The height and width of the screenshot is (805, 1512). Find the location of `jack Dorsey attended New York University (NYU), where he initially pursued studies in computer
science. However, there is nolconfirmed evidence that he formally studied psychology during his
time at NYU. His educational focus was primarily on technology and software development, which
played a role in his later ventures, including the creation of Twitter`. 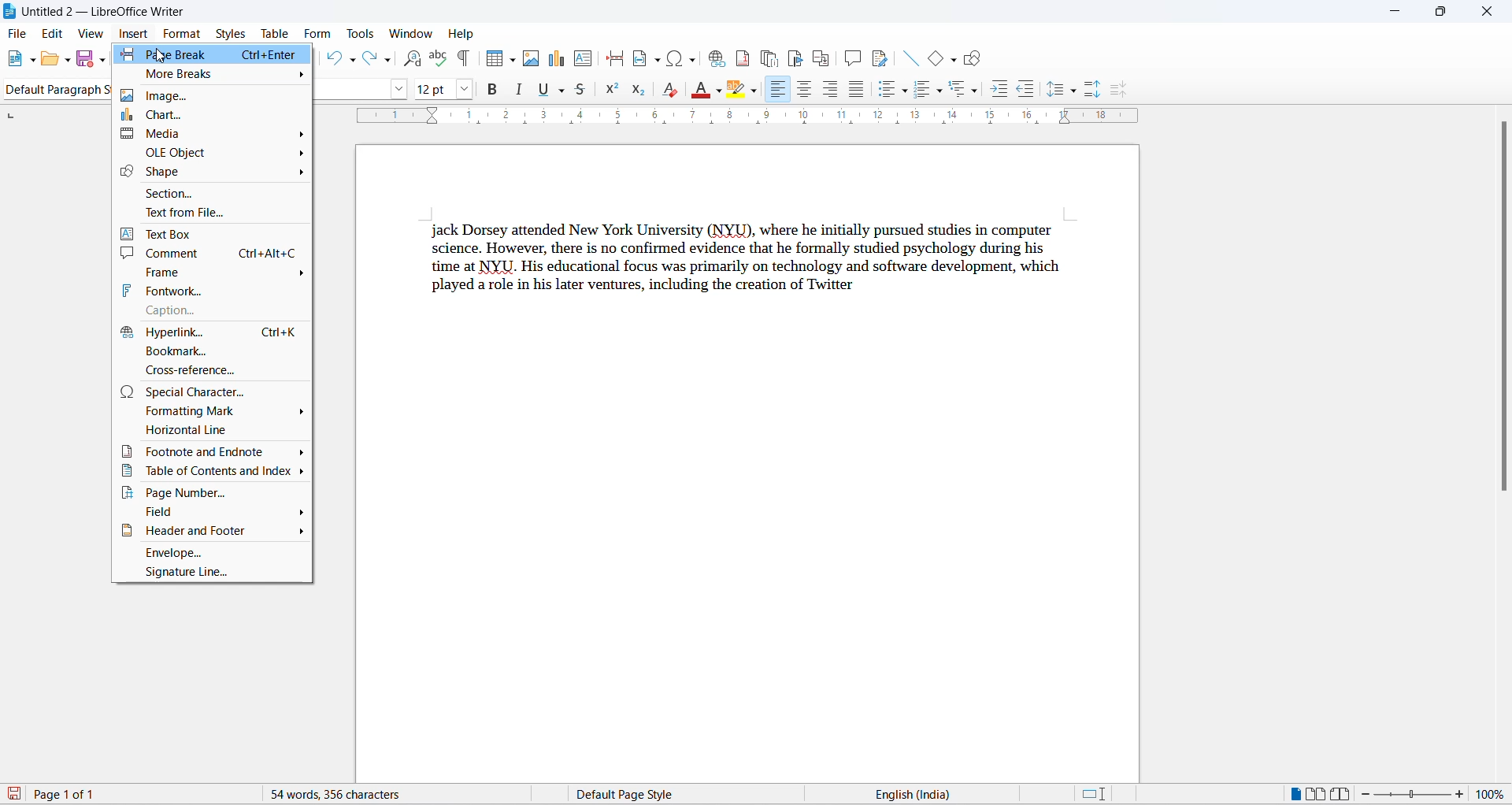

jack Dorsey attended New York University (NYU), where he initially pursued studies in computer
science. However, there is nolconfirmed evidence that he formally studied psychology during his
time at NYU. His educational focus was primarily on technology and software development, which
played a role in his later ventures, including the creation of Twitter is located at coordinates (748, 256).